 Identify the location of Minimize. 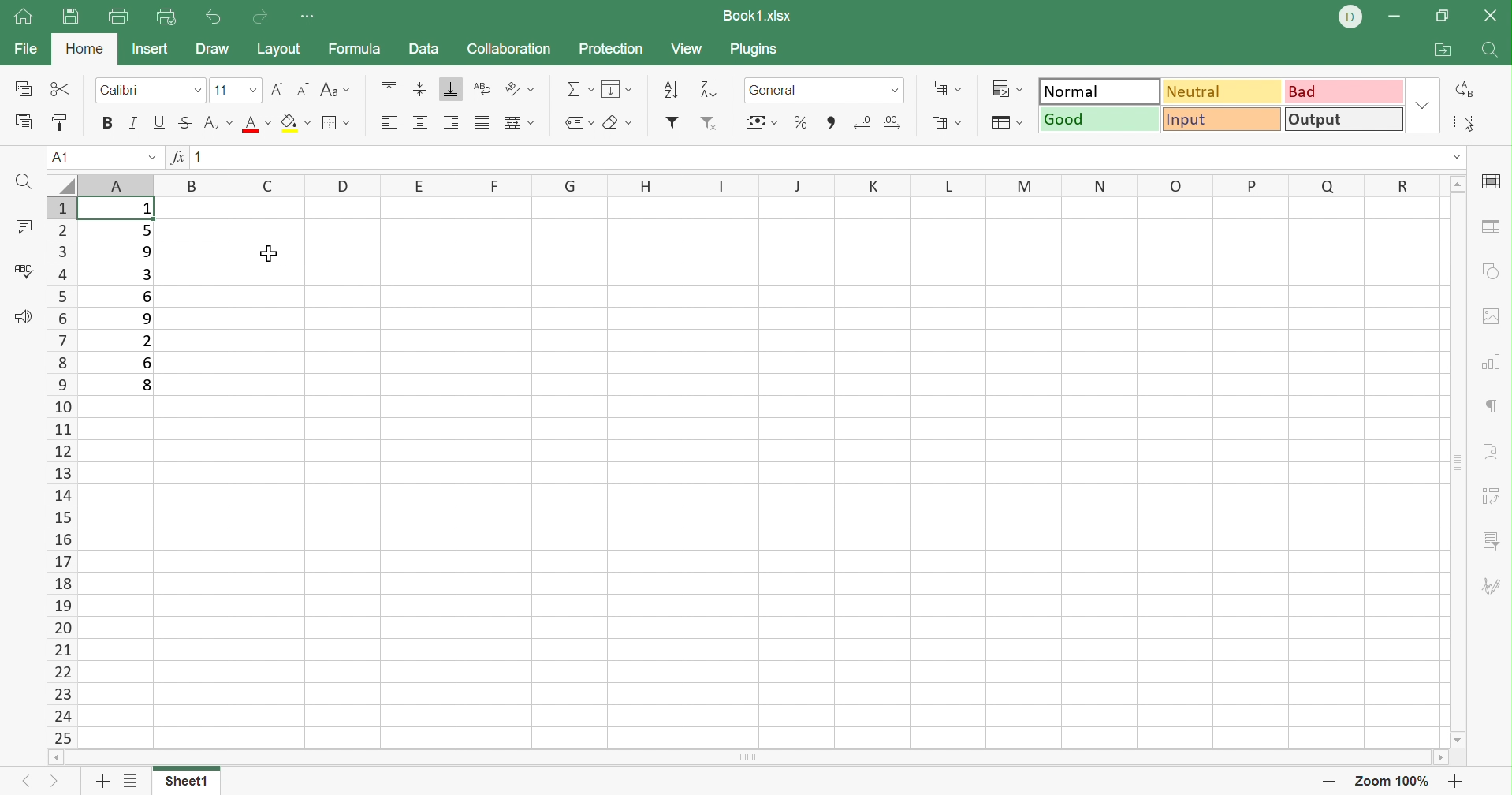
(1397, 17).